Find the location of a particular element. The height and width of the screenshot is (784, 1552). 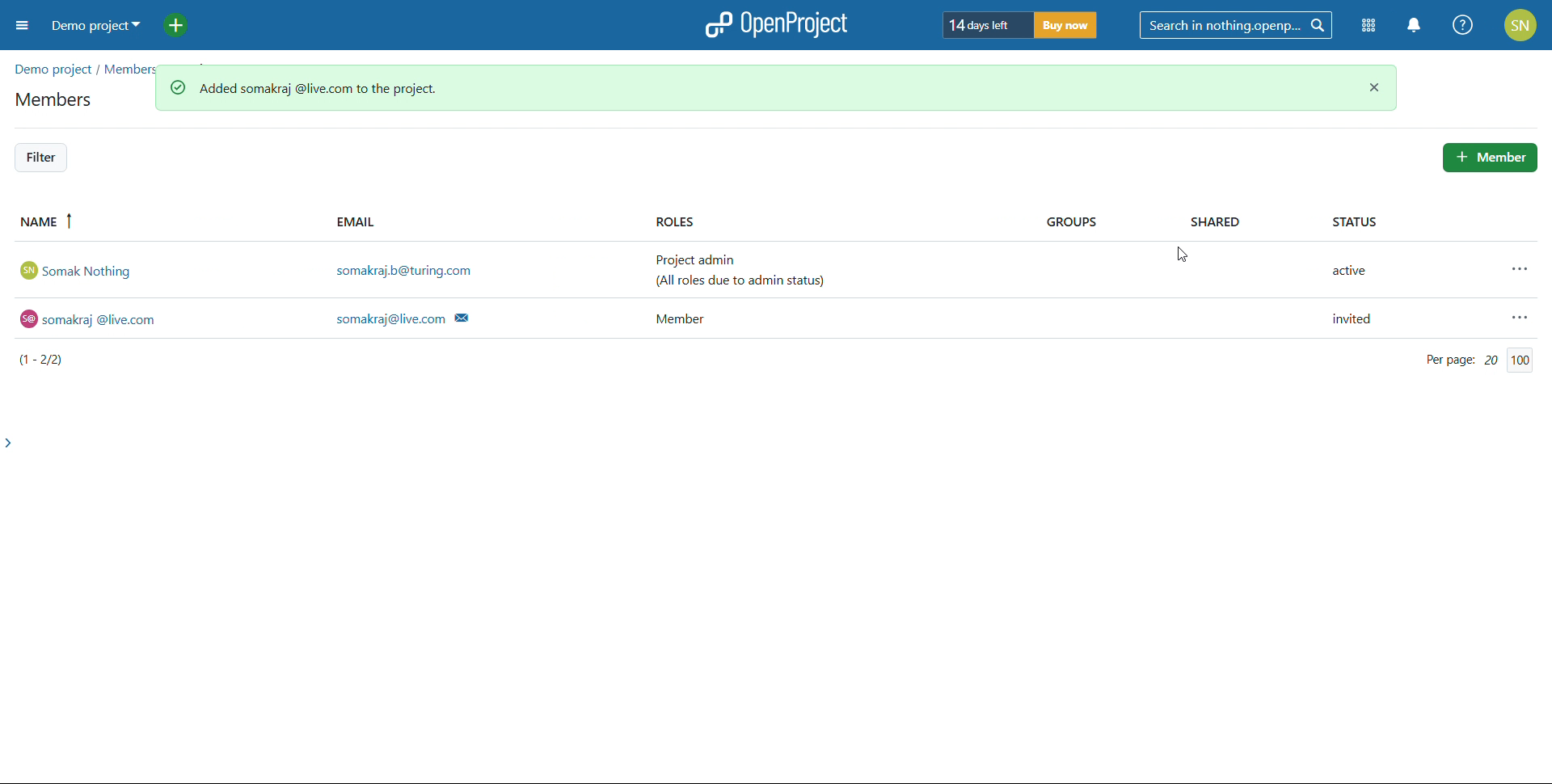

name is located at coordinates (54, 218).